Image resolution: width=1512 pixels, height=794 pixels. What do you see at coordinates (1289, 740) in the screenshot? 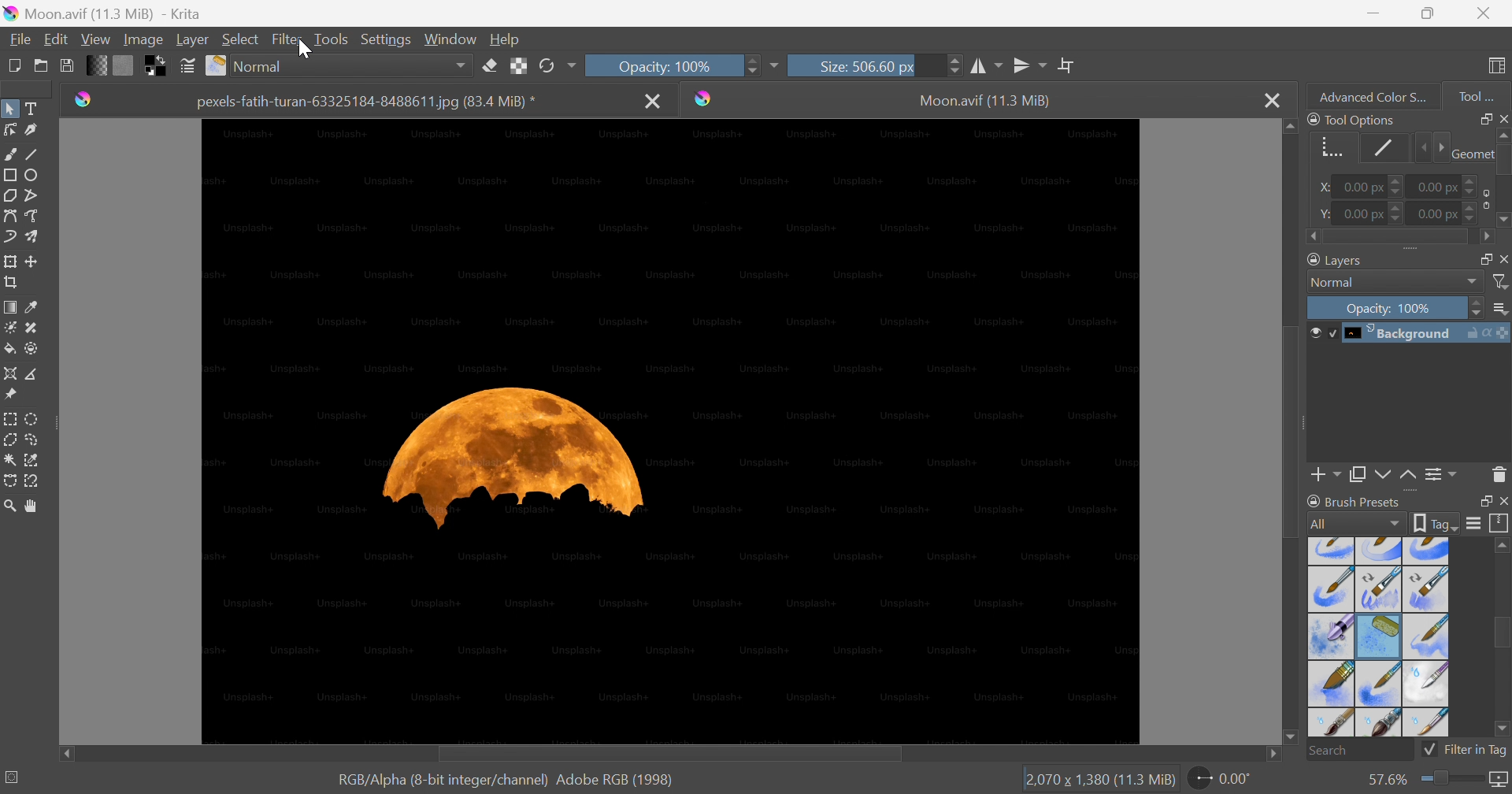
I see `Scroll down` at bounding box center [1289, 740].